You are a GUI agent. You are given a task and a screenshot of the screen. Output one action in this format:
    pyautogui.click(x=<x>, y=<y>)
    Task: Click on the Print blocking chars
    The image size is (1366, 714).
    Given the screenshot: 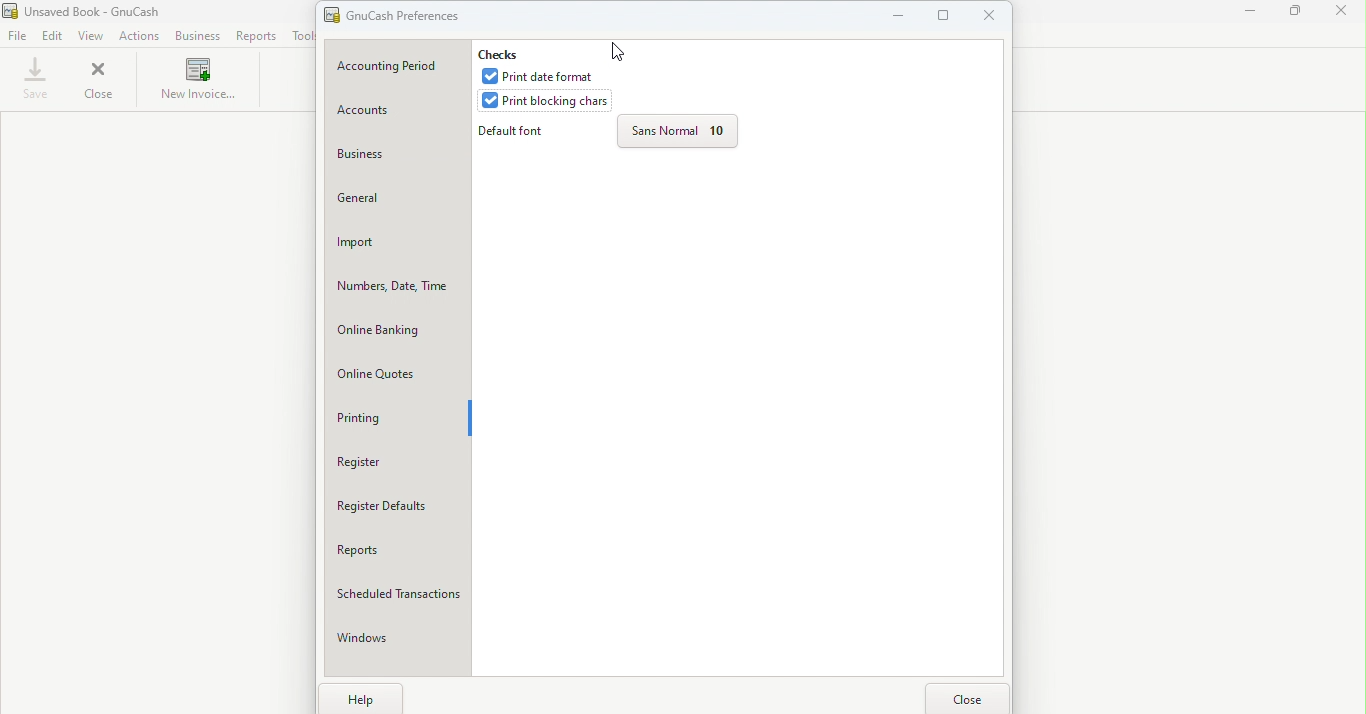 What is the action you would take?
    pyautogui.click(x=548, y=99)
    